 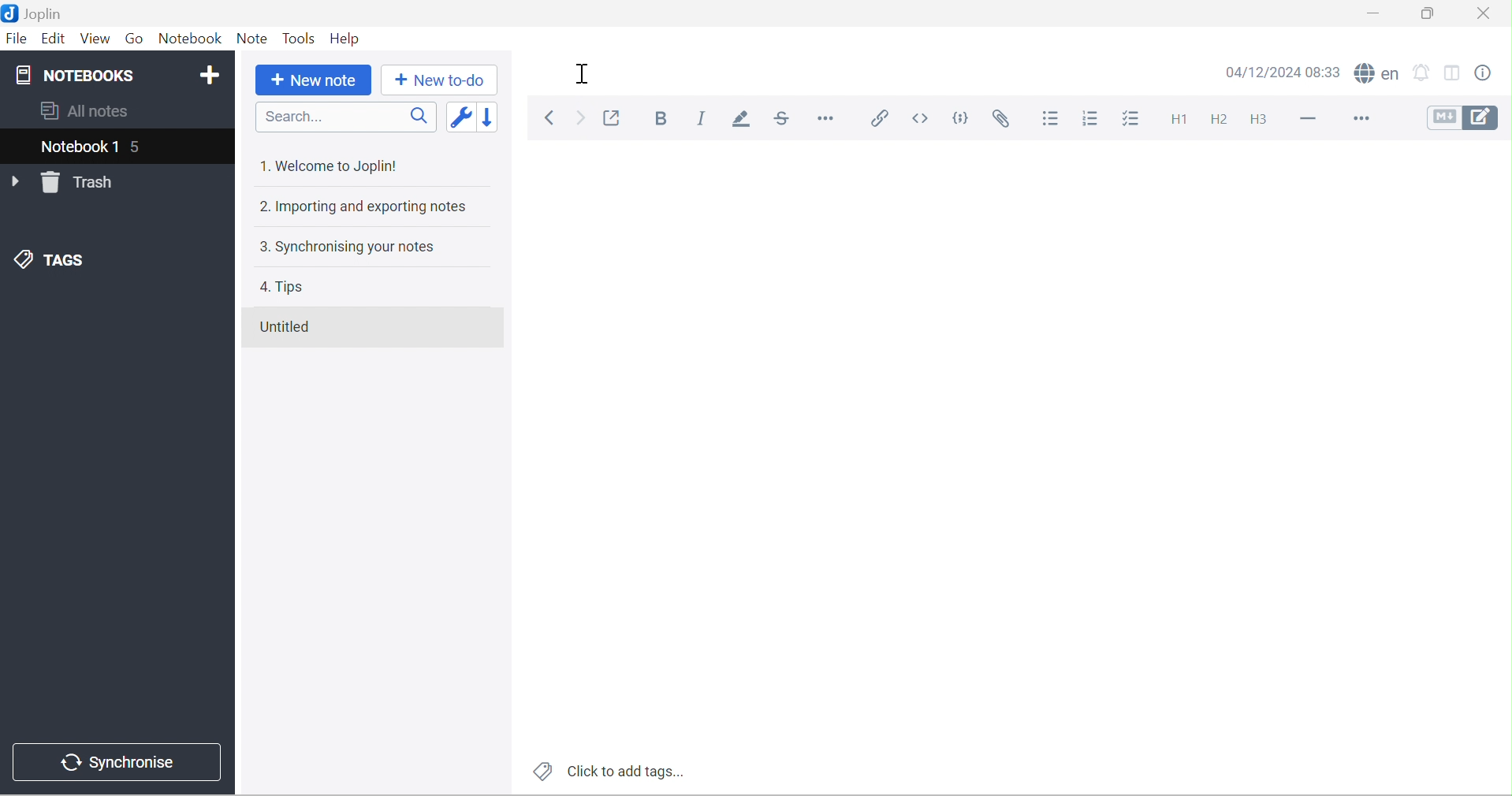 What do you see at coordinates (445, 80) in the screenshot?
I see `New to-do` at bounding box center [445, 80].